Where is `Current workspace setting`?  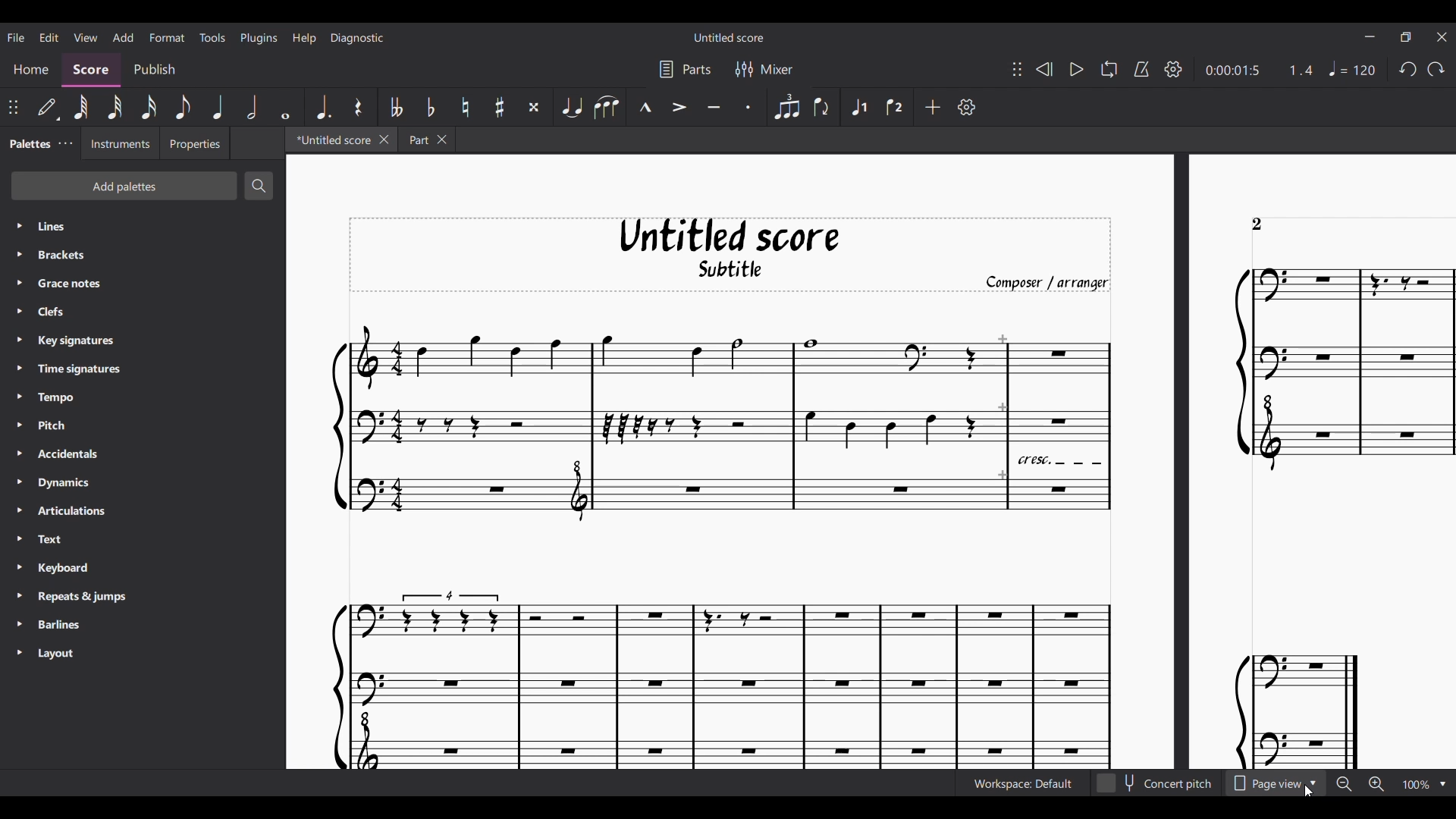
Current workspace setting is located at coordinates (1022, 783).